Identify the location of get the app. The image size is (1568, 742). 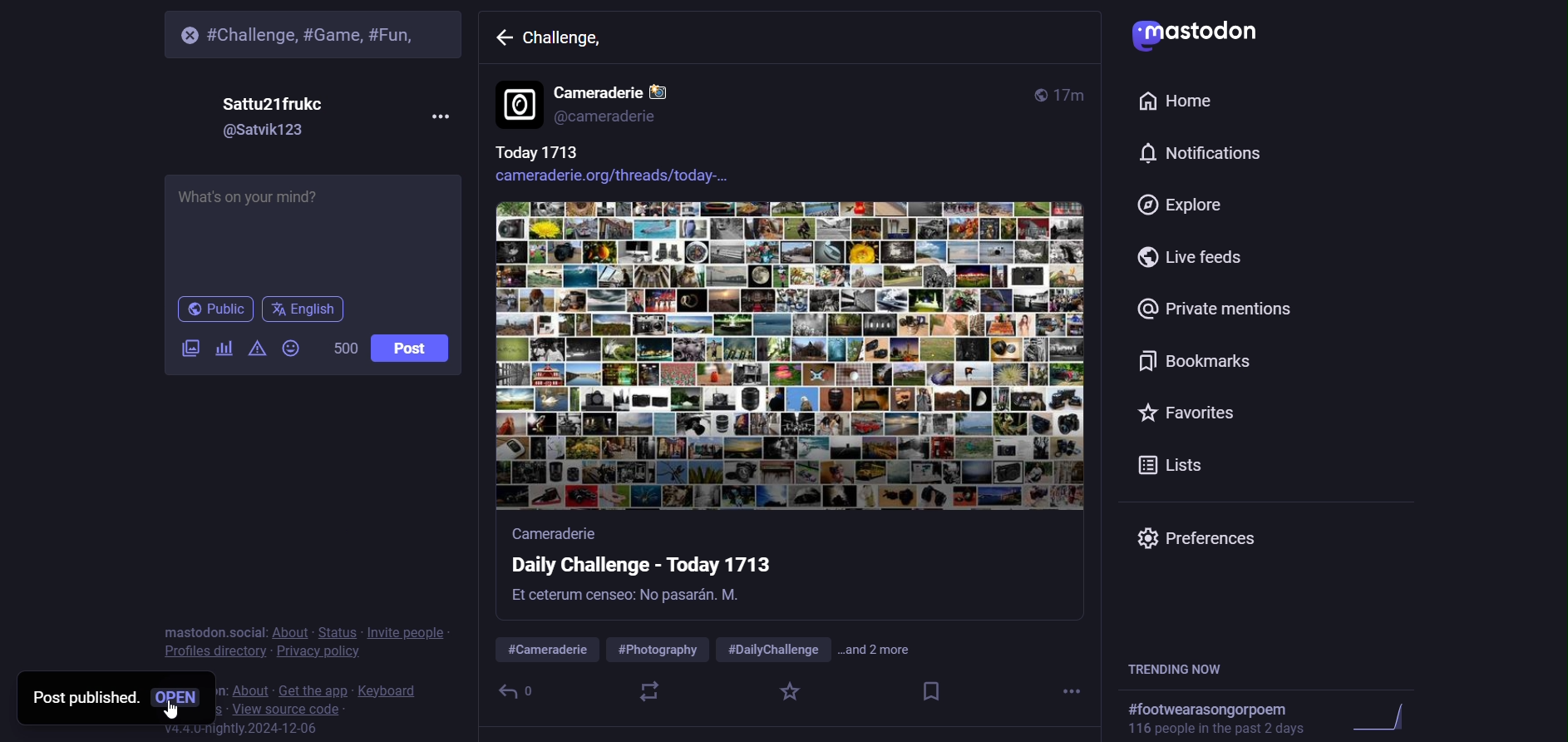
(313, 688).